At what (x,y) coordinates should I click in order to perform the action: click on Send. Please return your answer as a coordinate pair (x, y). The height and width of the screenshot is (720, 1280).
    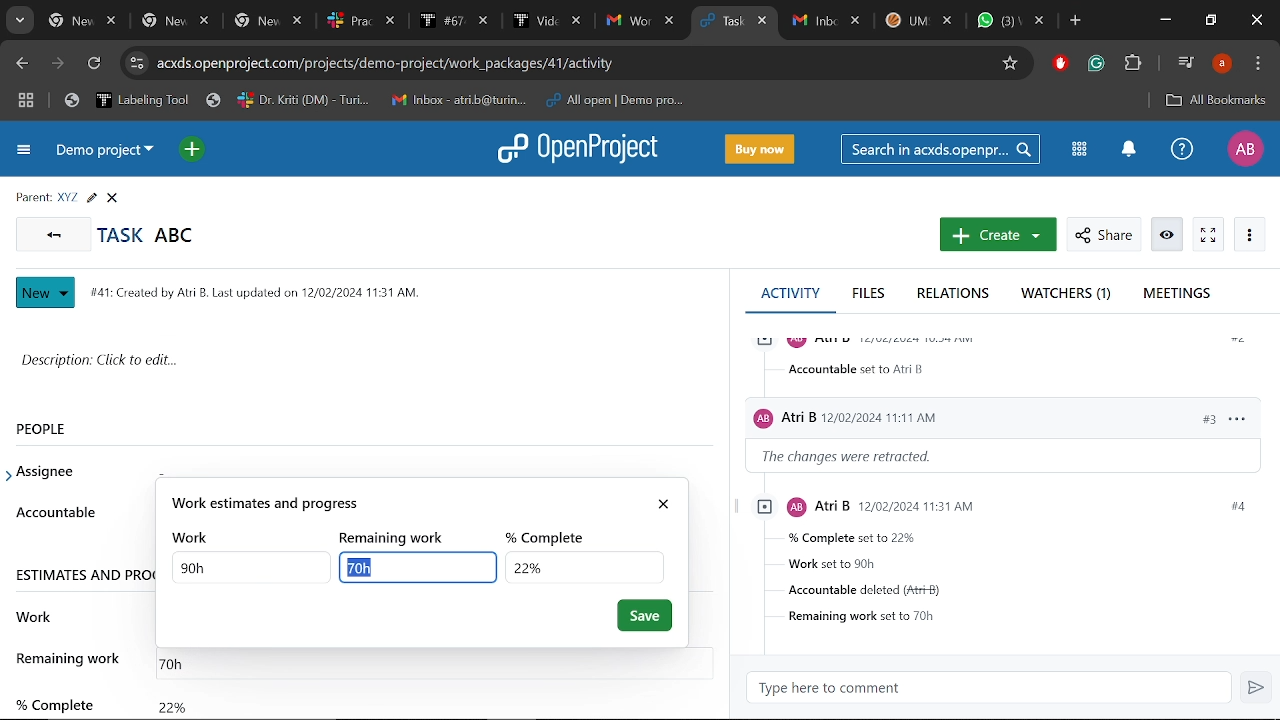
    Looking at the image, I should click on (1258, 689).